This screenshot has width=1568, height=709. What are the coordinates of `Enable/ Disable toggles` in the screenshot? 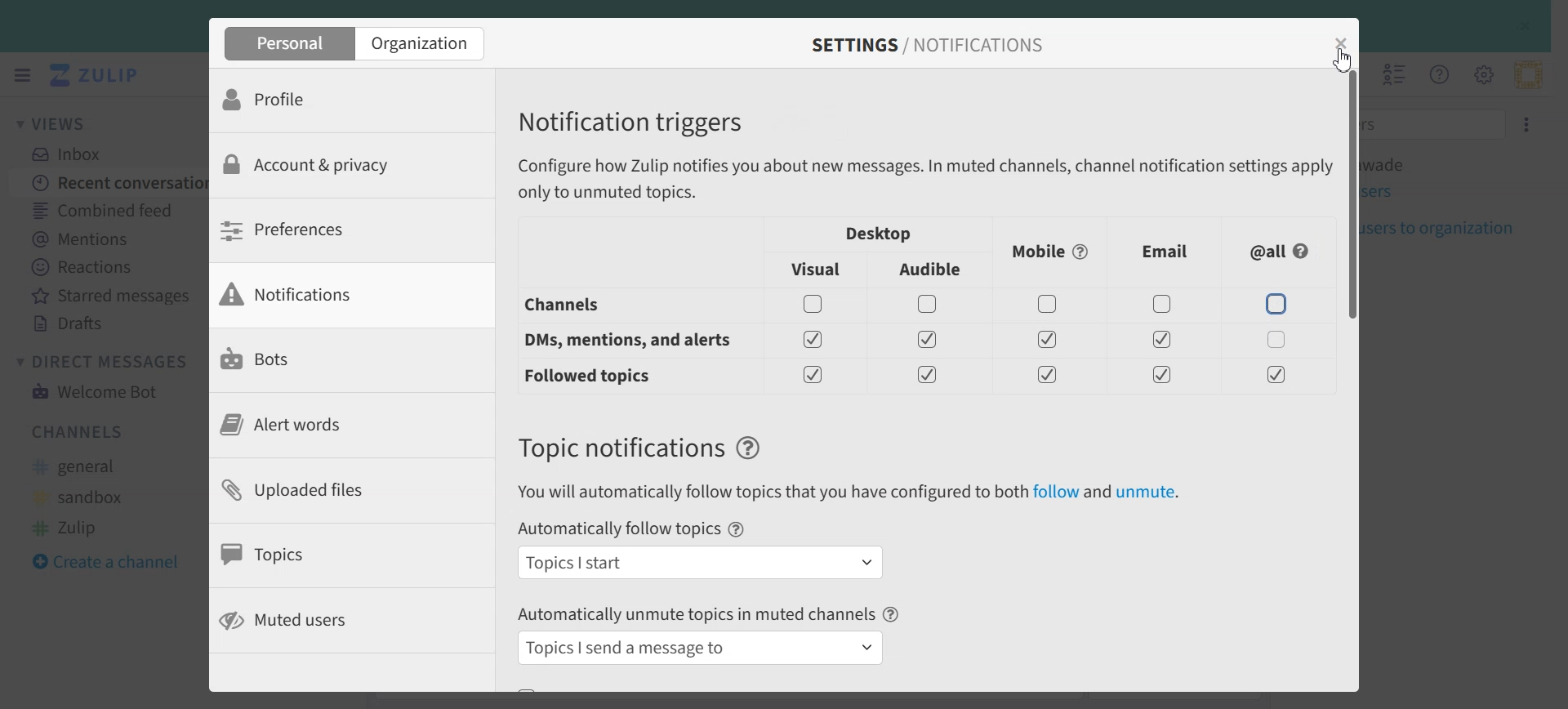 It's located at (1043, 339).